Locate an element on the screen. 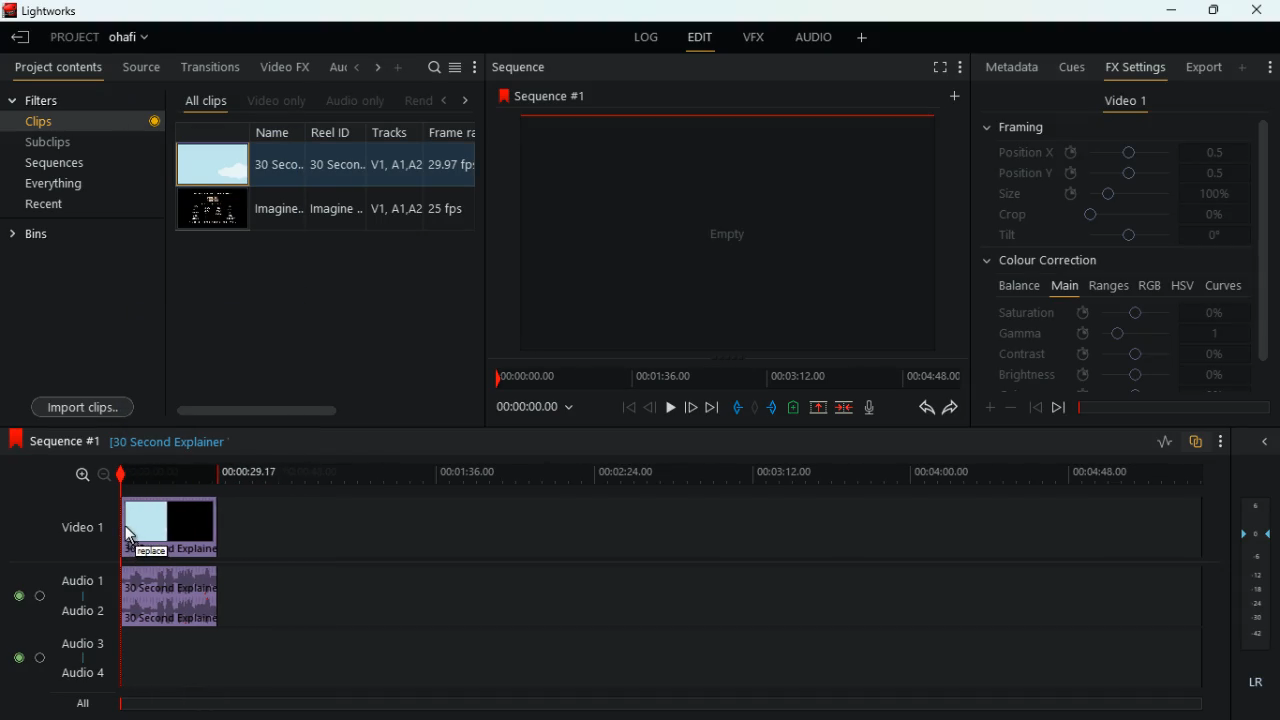  back is located at coordinates (924, 407).